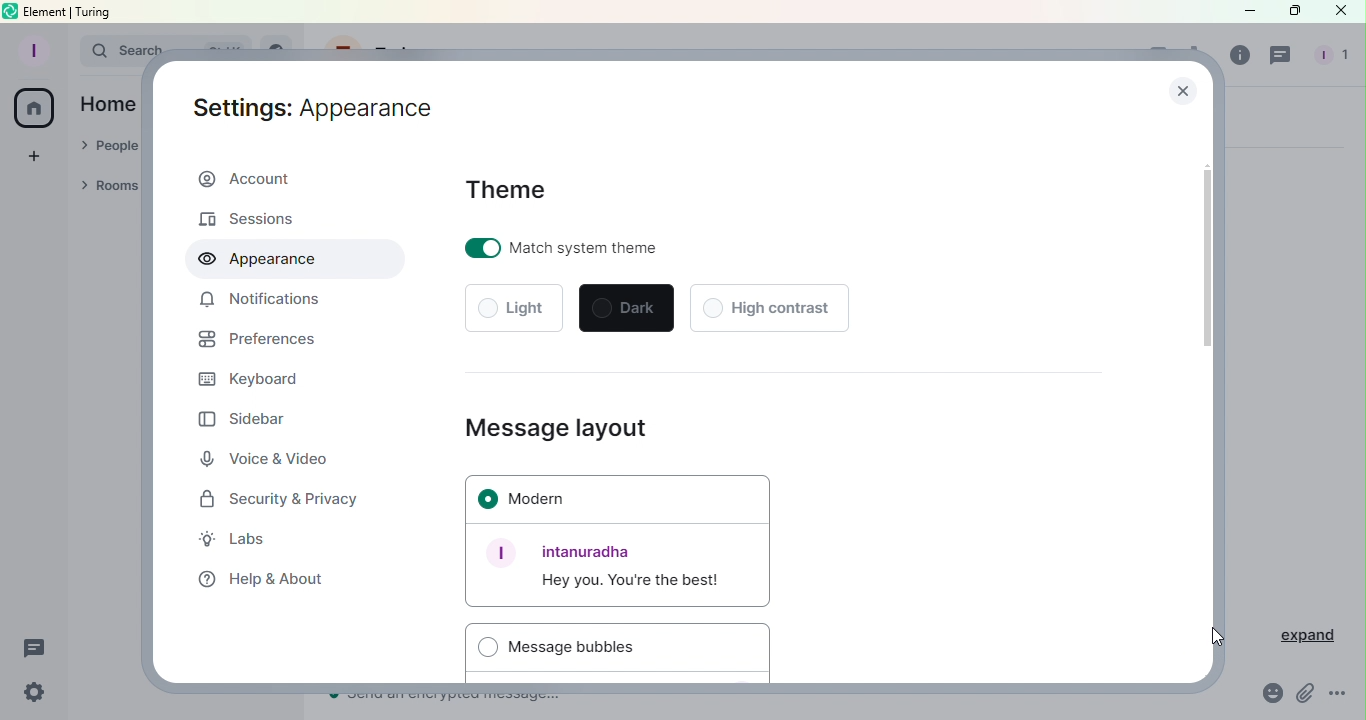  Describe the element at coordinates (609, 247) in the screenshot. I see `Match system theme` at that location.